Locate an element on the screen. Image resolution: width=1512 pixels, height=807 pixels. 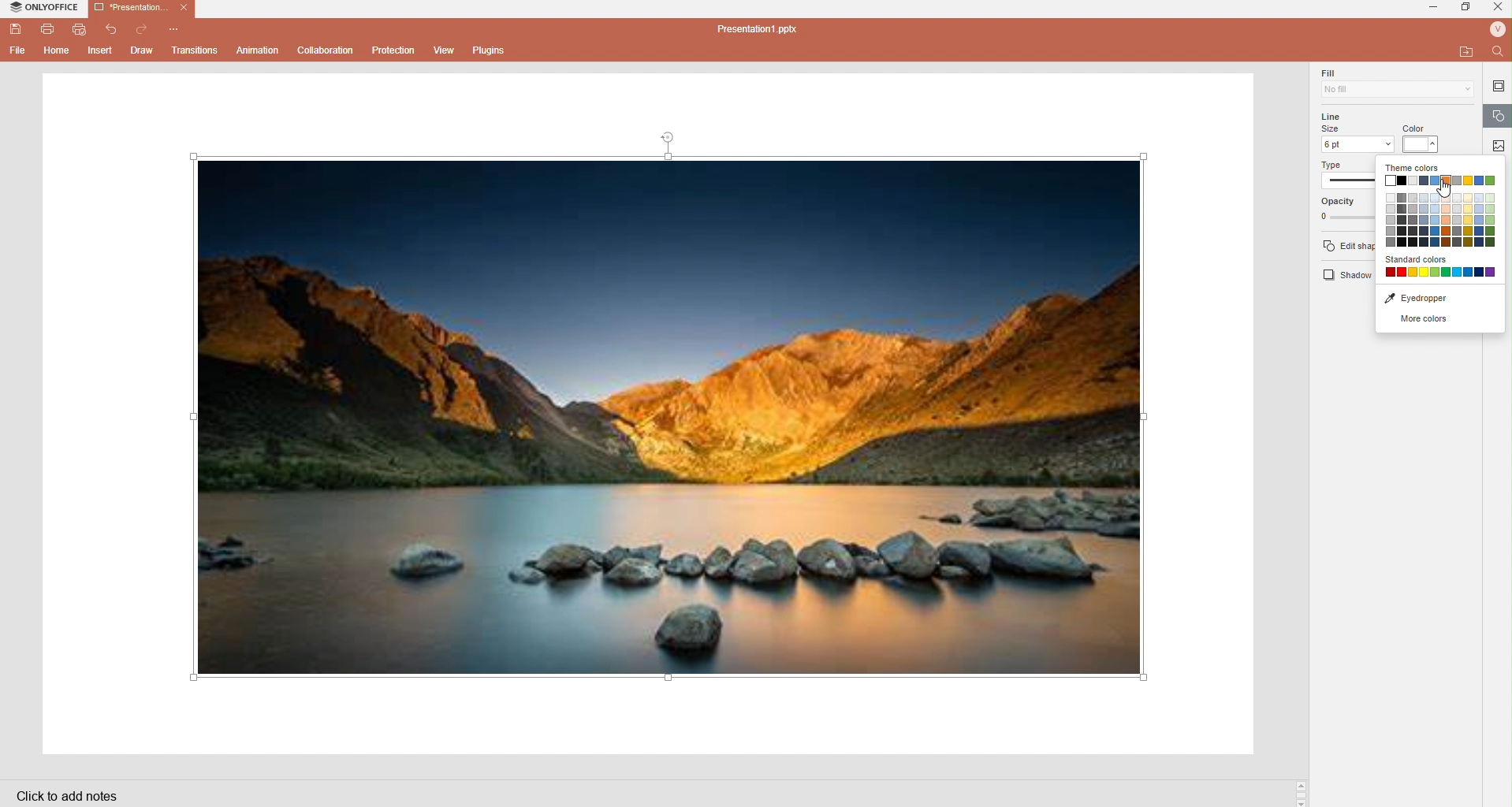
Close is located at coordinates (184, 9).